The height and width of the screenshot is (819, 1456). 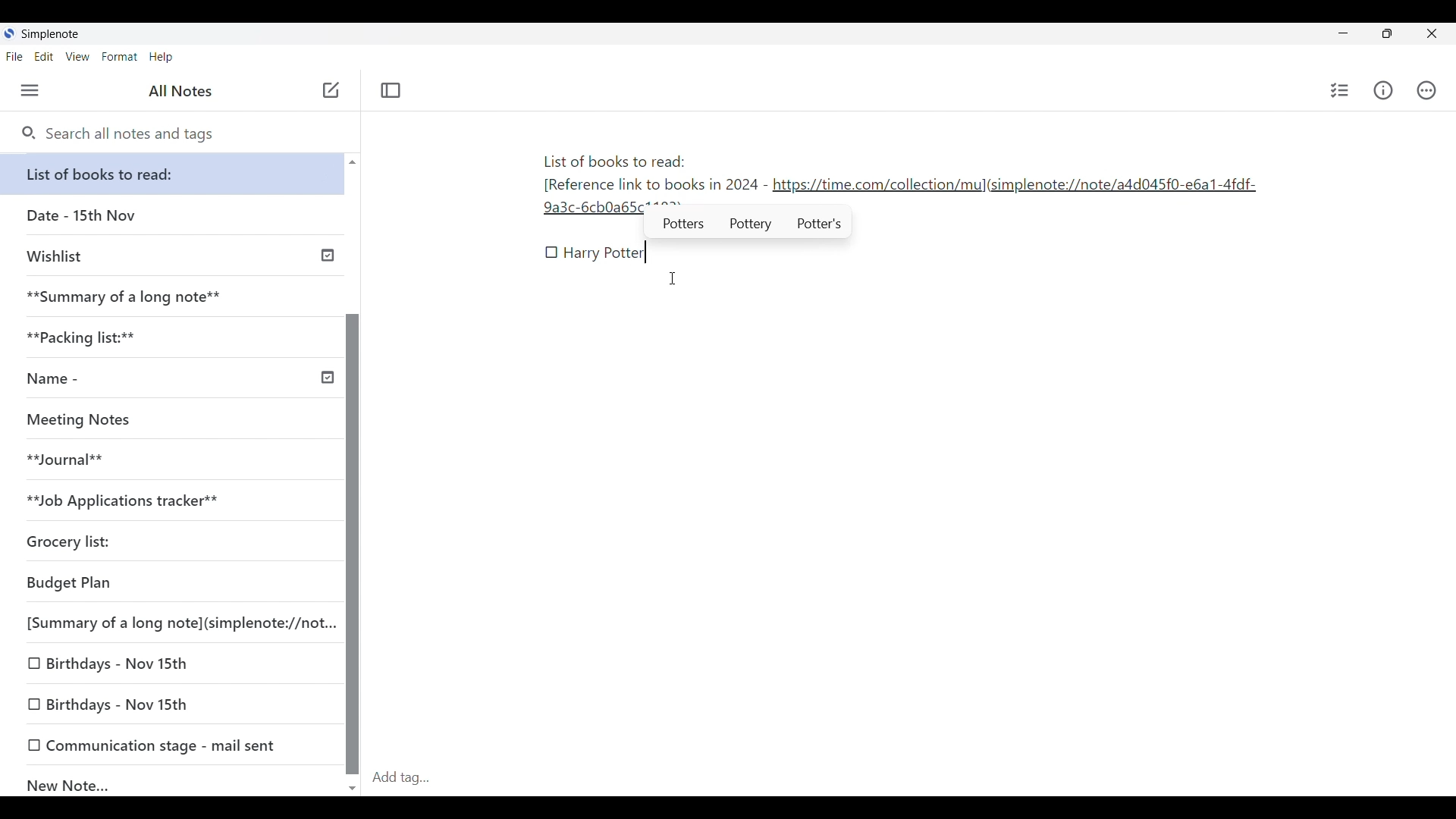 What do you see at coordinates (552, 253) in the screenshot?
I see `New text automatically converted to checklist as a markdown` at bounding box center [552, 253].